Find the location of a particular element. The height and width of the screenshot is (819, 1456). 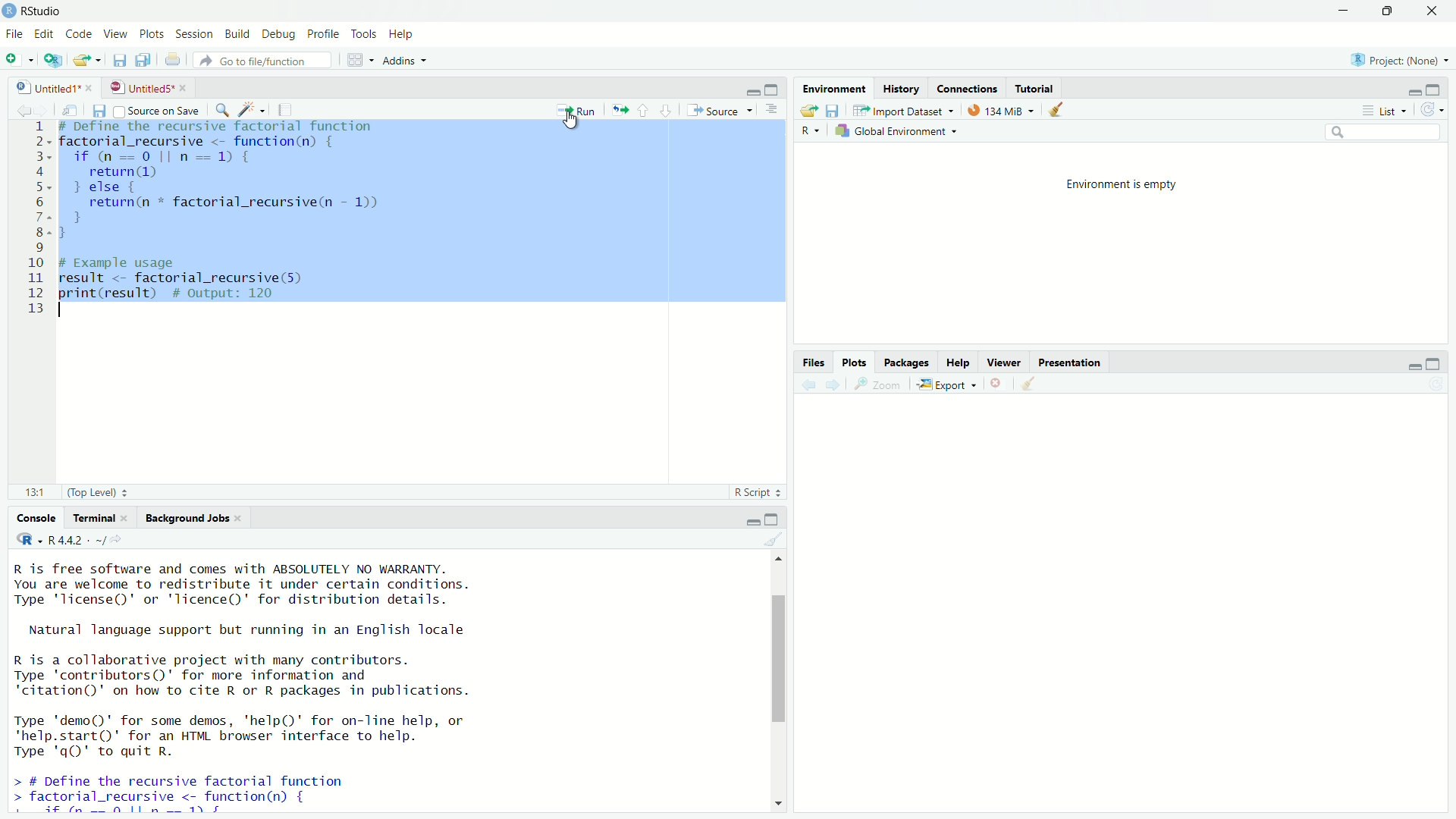

Addins is located at coordinates (412, 61).